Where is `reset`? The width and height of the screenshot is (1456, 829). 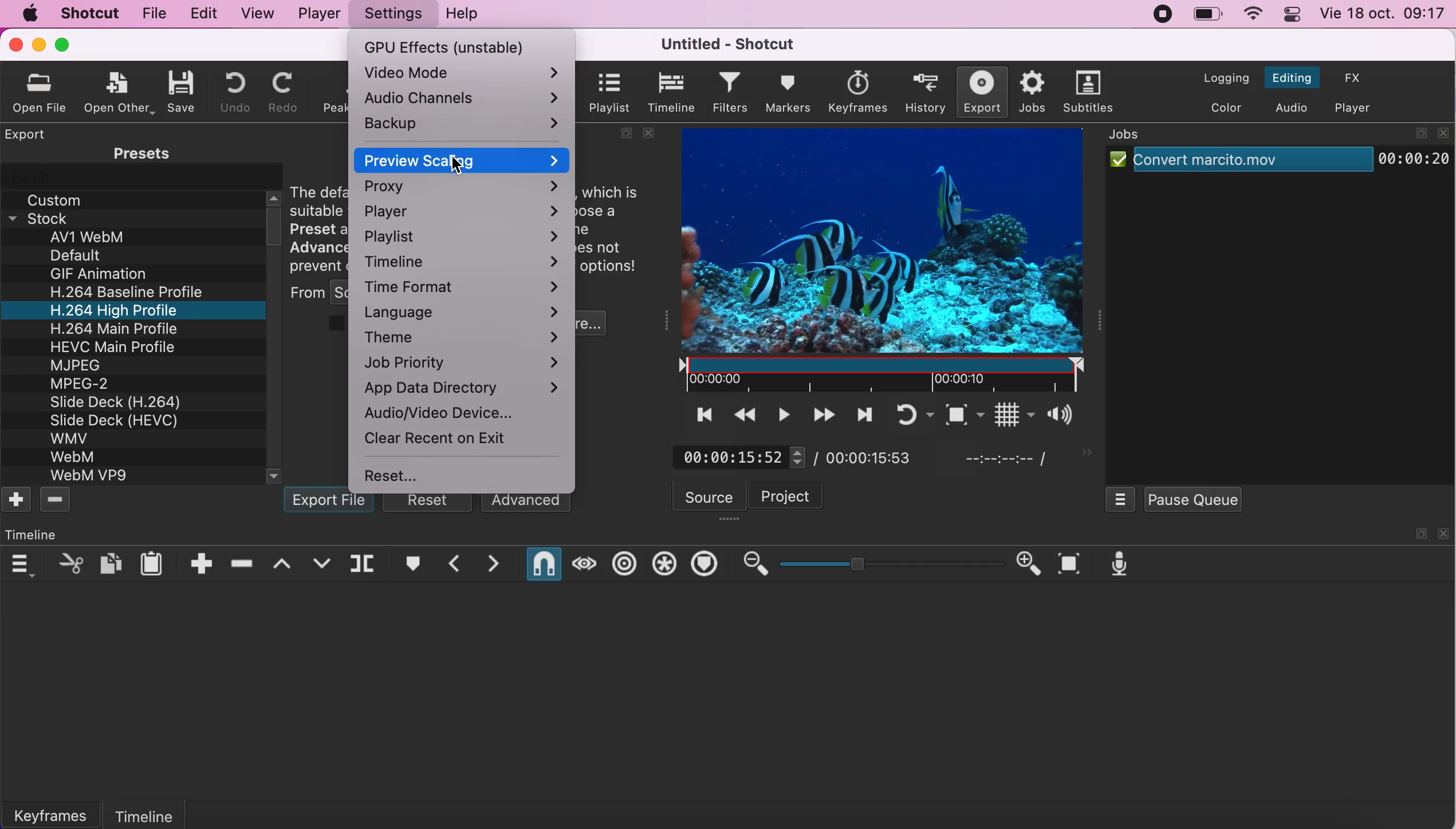 reset is located at coordinates (406, 474).